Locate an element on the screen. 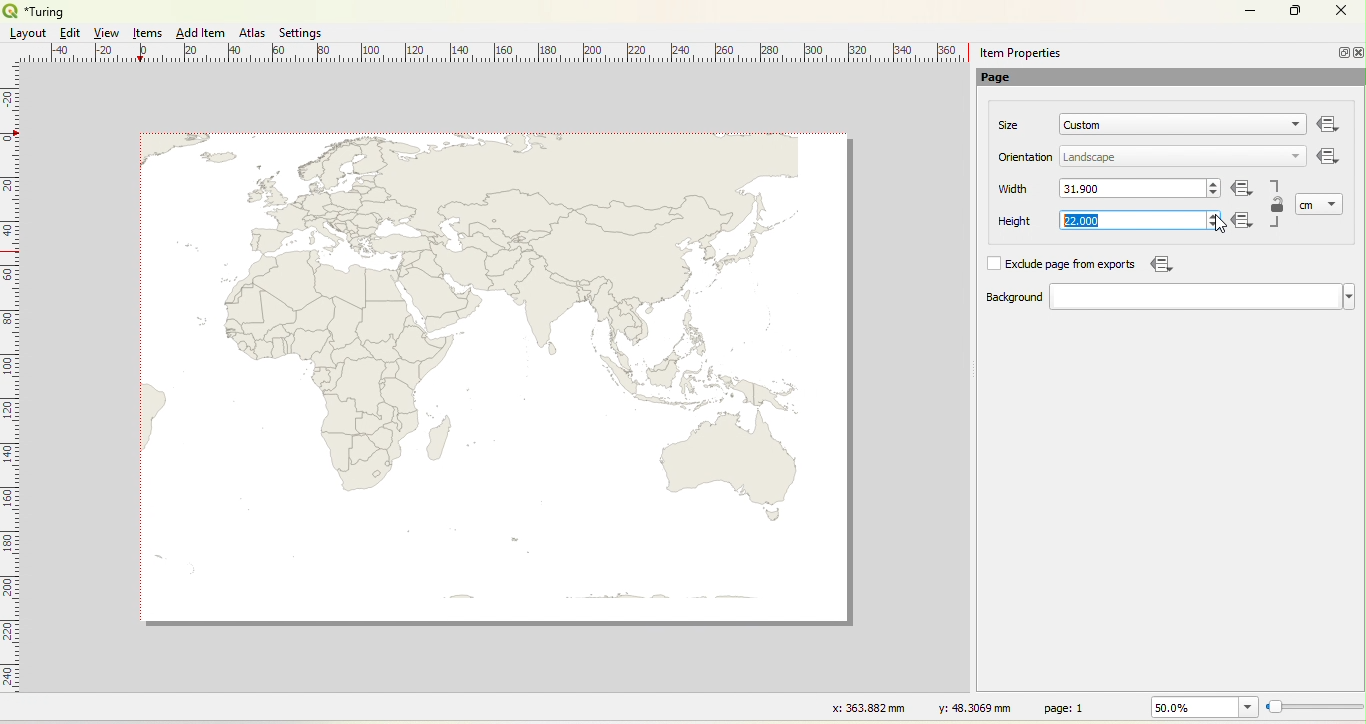   is located at coordinates (1329, 125).